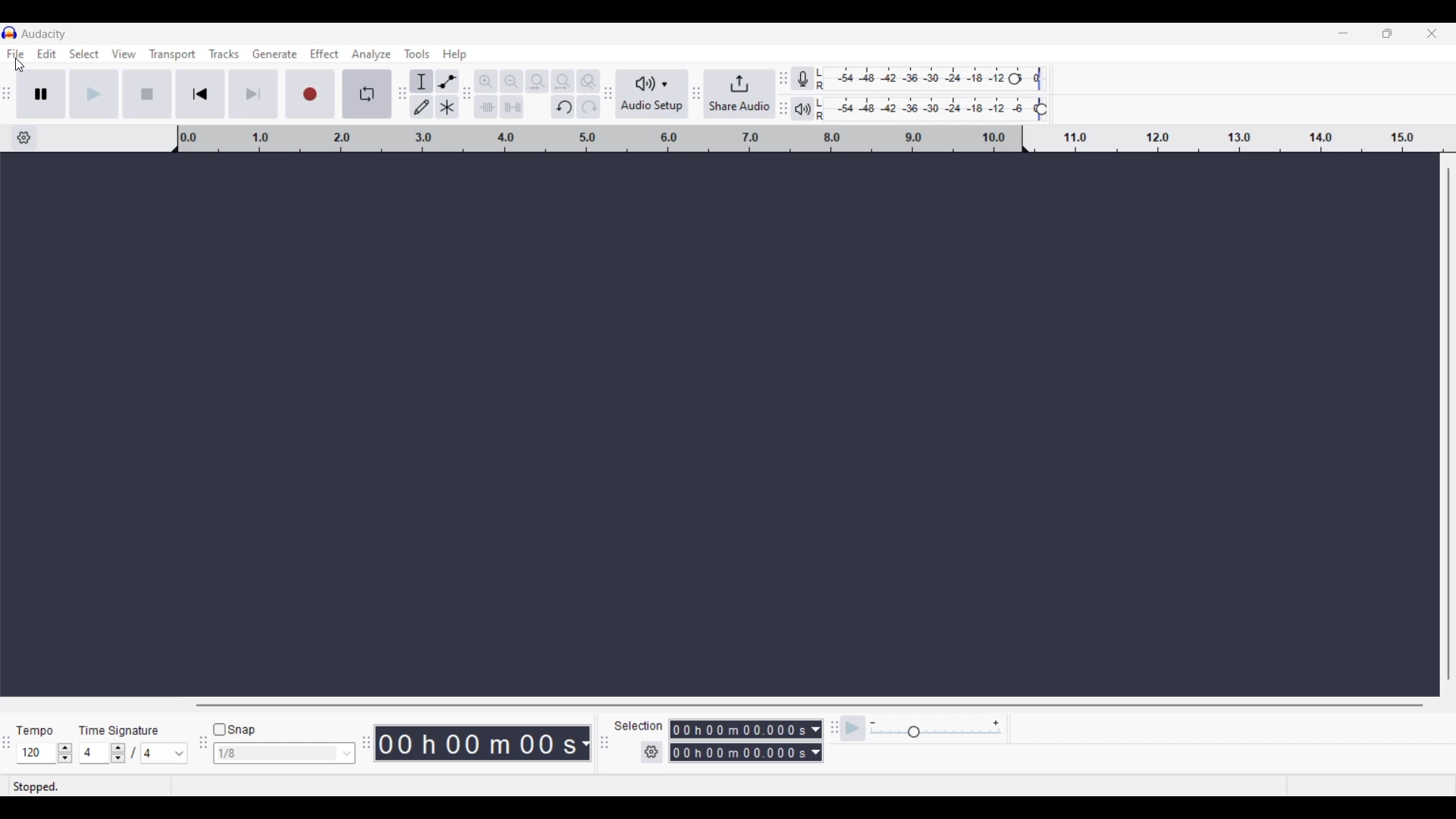 The height and width of the screenshot is (819, 1456). What do you see at coordinates (253, 94) in the screenshot?
I see `Skip/Select to end` at bounding box center [253, 94].